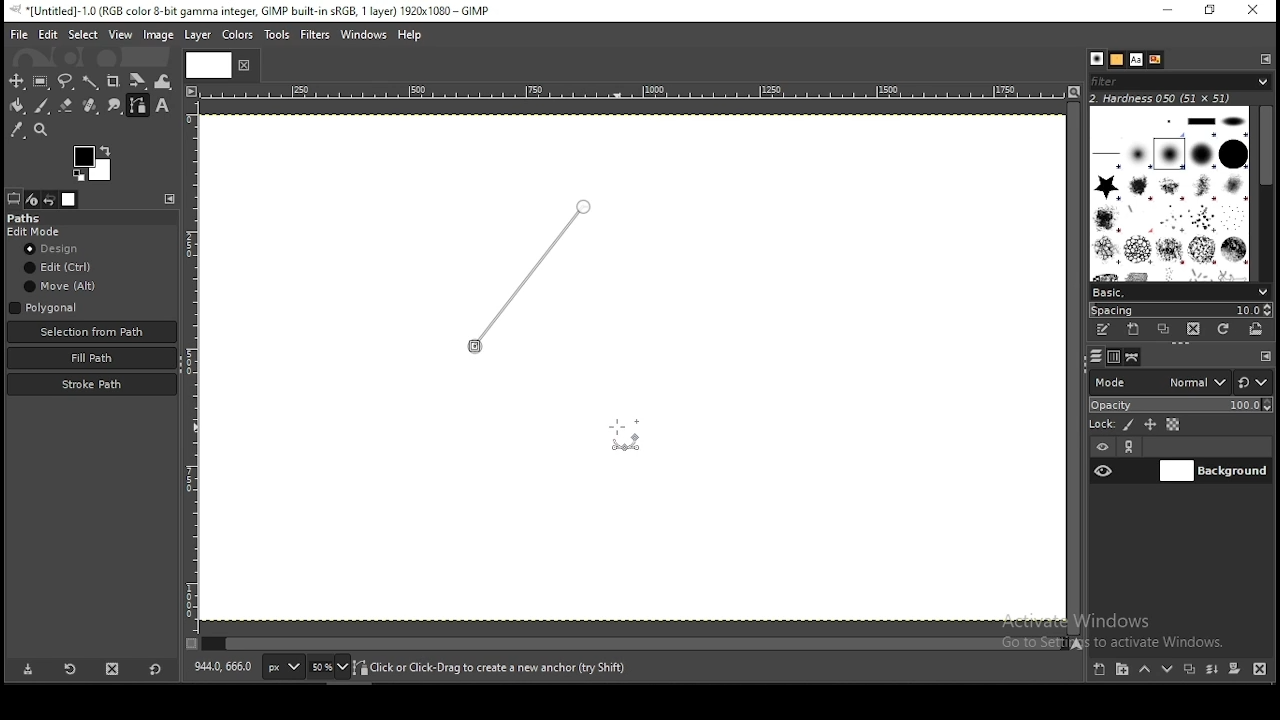  Describe the element at coordinates (1117, 60) in the screenshot. I see `patterns` at that location.